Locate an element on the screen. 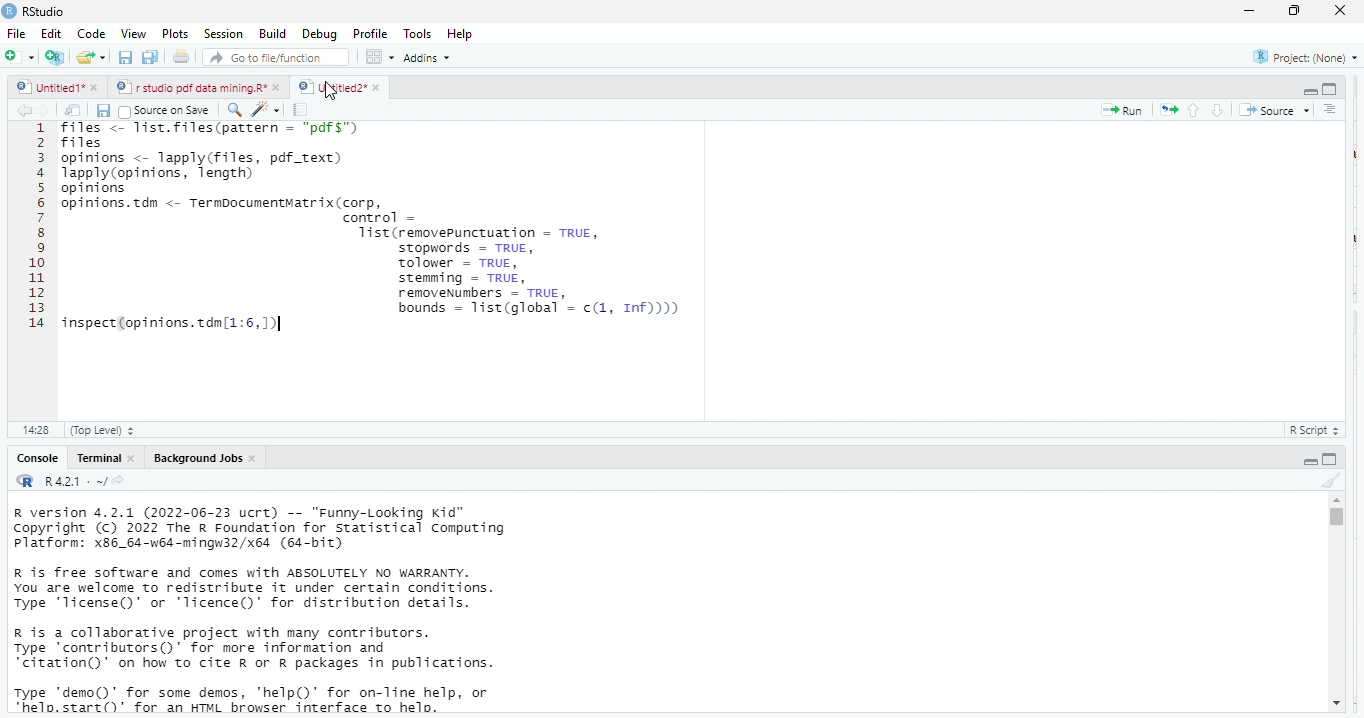  project (none) is located at coordinates (1300, 57).